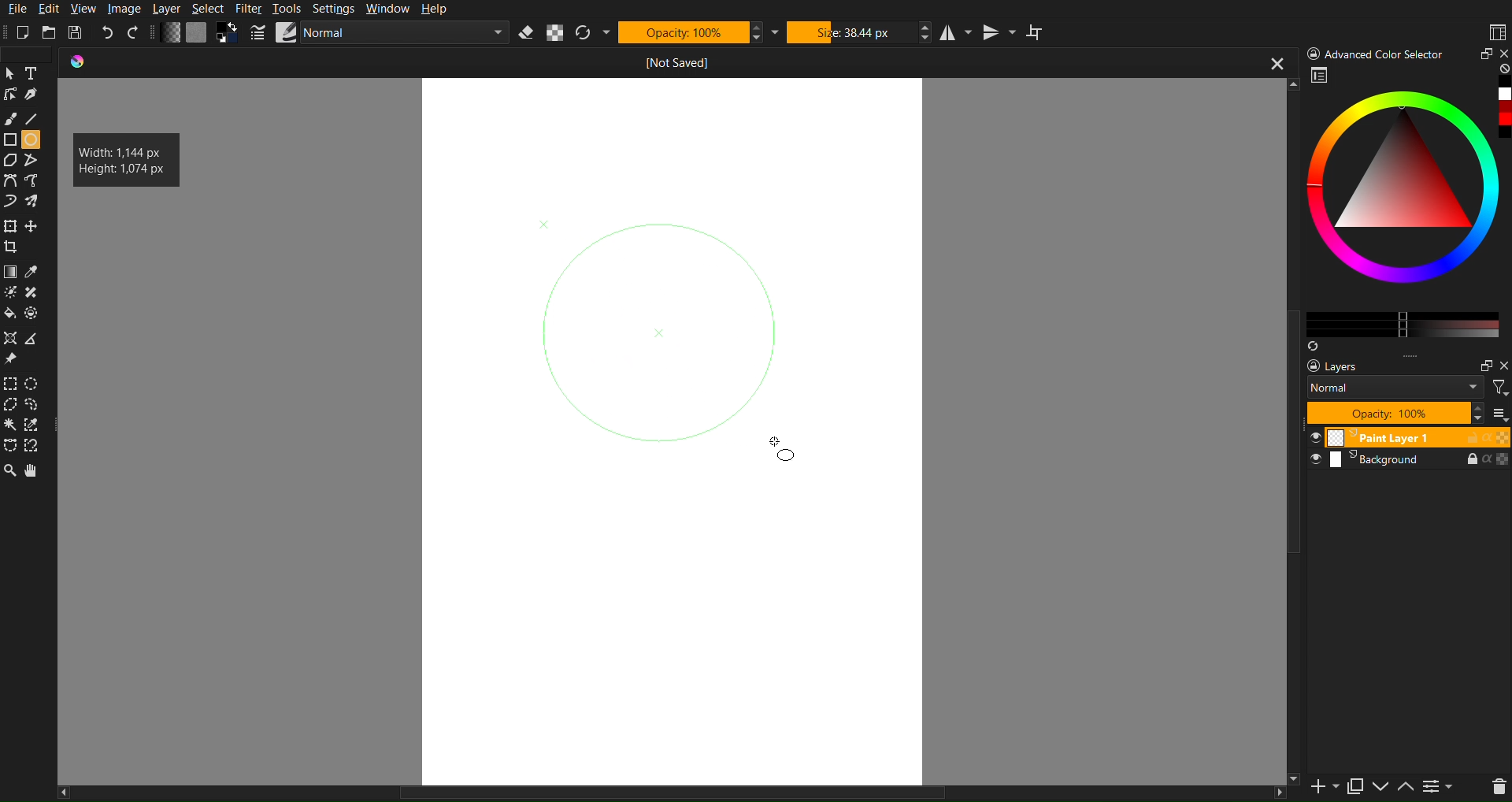 This screenshot has height=802, width=1512. Describe the element at coordinates (1503, 365) in the screenshot. I see `` at that location.